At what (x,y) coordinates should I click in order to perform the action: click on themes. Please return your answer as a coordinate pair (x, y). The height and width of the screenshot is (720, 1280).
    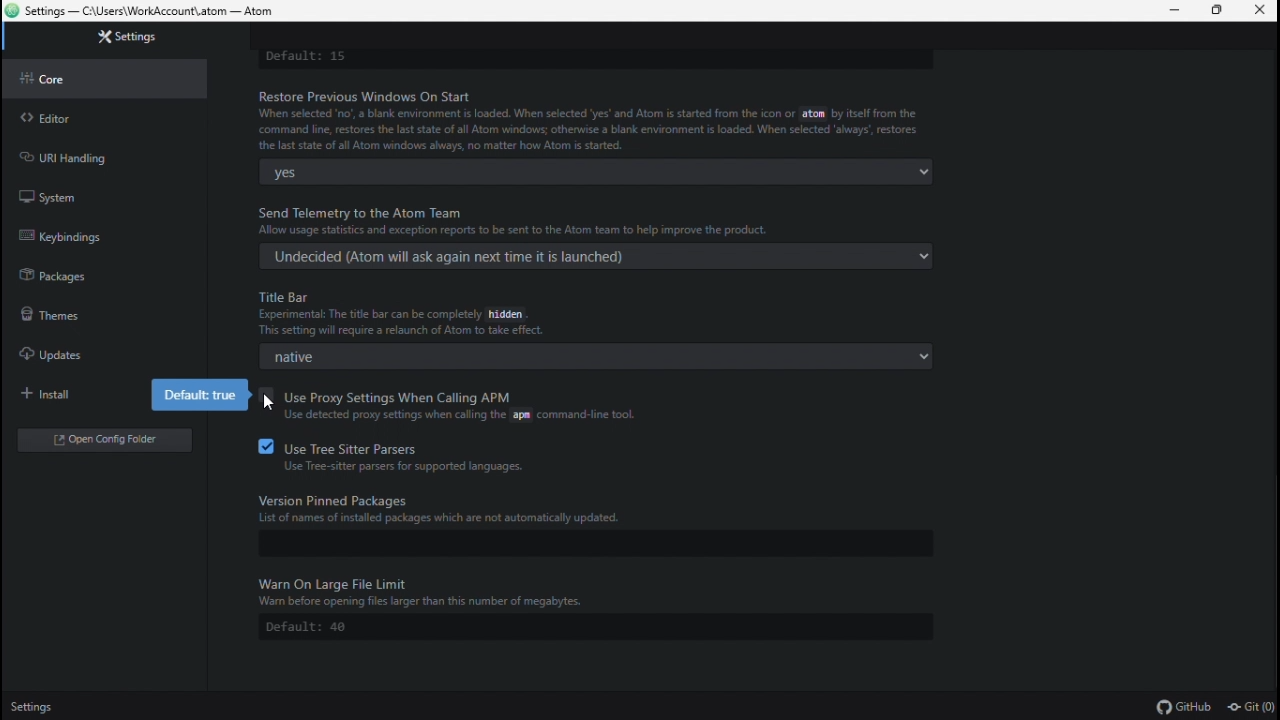
    Looking at the image, I should click on (83, 316).